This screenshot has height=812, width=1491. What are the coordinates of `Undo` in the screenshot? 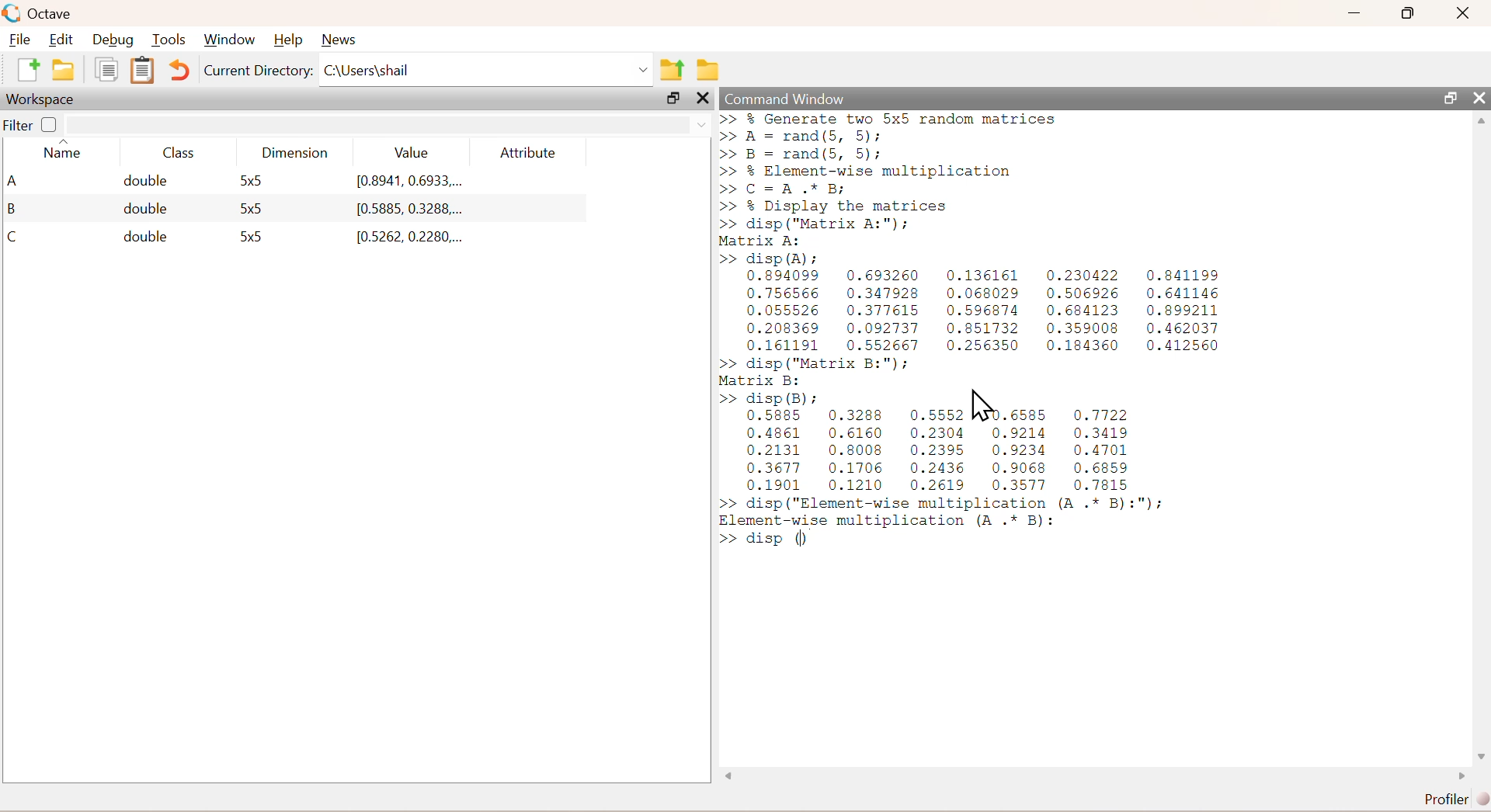 It's located at (177, 71).